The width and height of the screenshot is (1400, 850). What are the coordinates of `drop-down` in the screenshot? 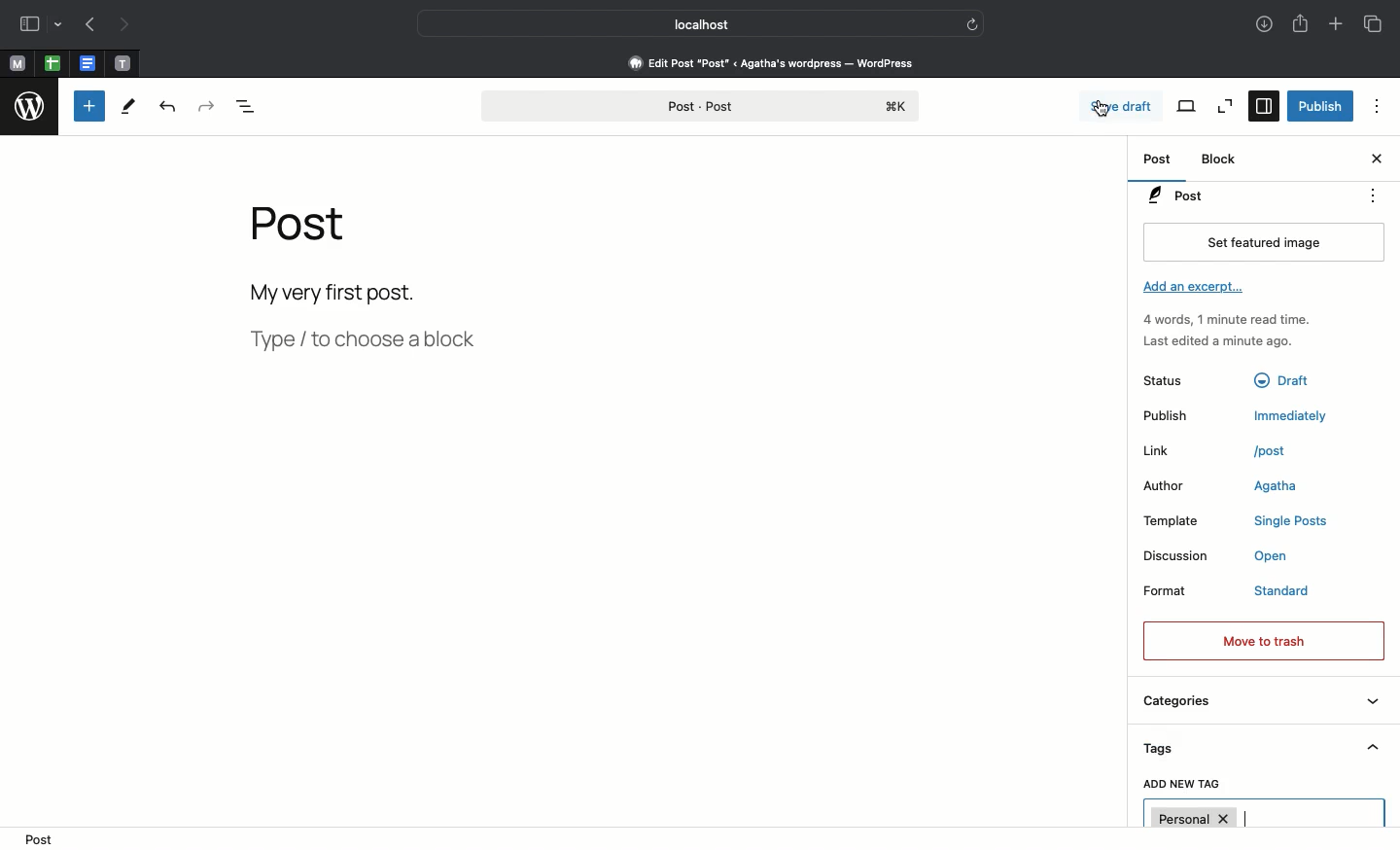 It's located at (59, 25).